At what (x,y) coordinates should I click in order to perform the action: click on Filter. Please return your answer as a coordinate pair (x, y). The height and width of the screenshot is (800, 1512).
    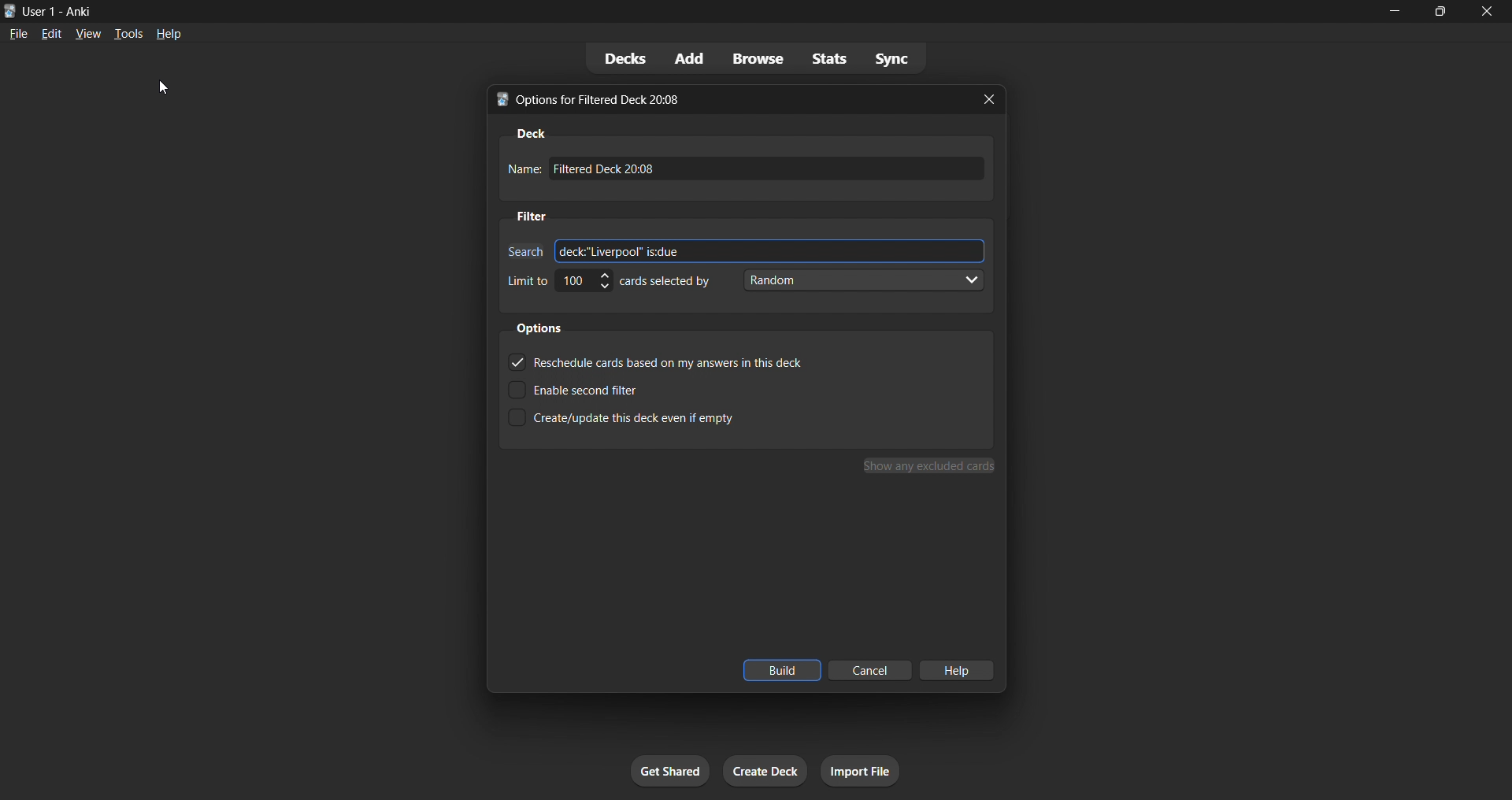
    Looking at the image, I should click on (531, 216).